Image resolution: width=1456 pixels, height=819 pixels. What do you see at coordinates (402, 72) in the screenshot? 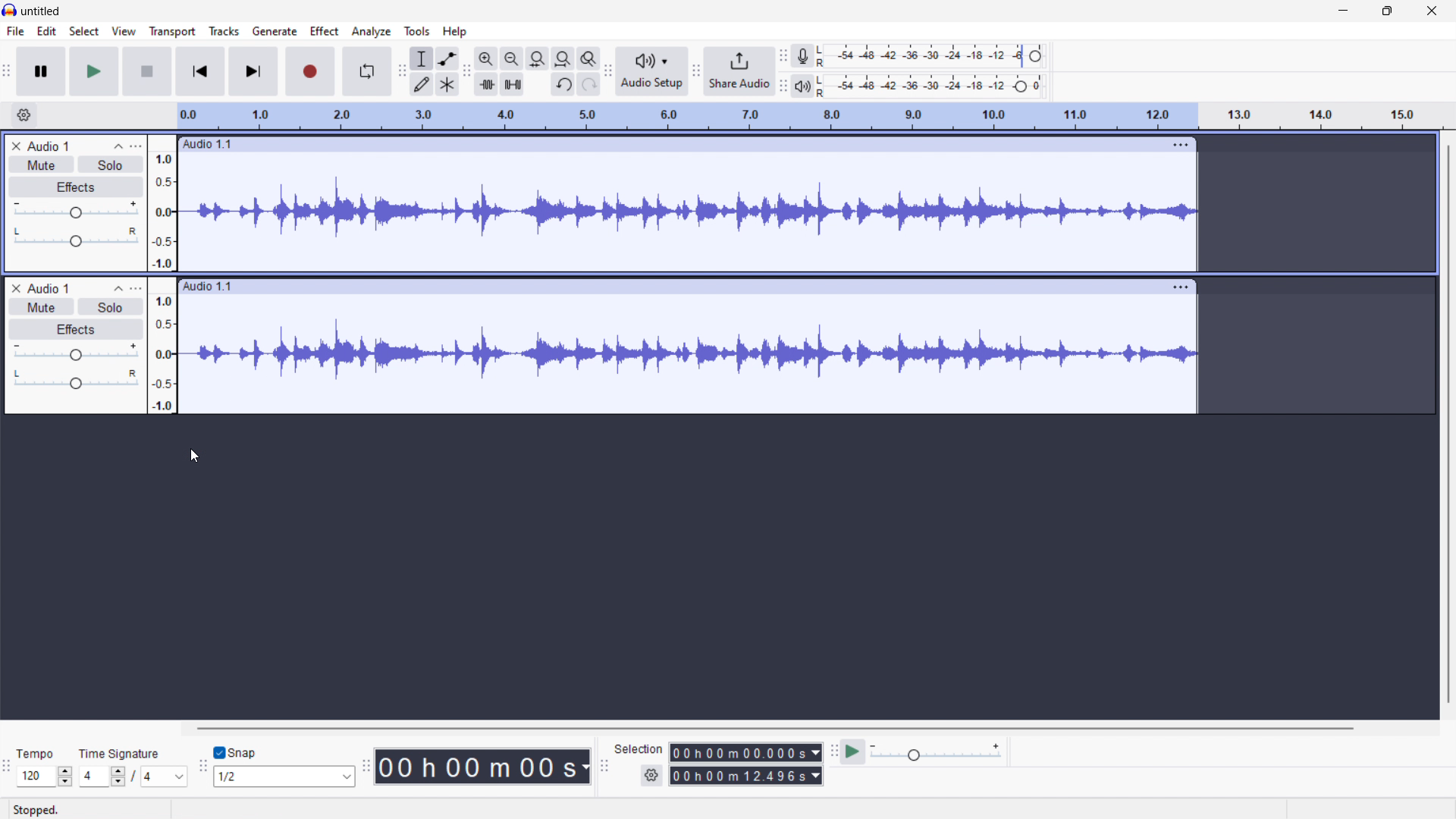
I see `tools toolbar` at bounding box center [402, 72].